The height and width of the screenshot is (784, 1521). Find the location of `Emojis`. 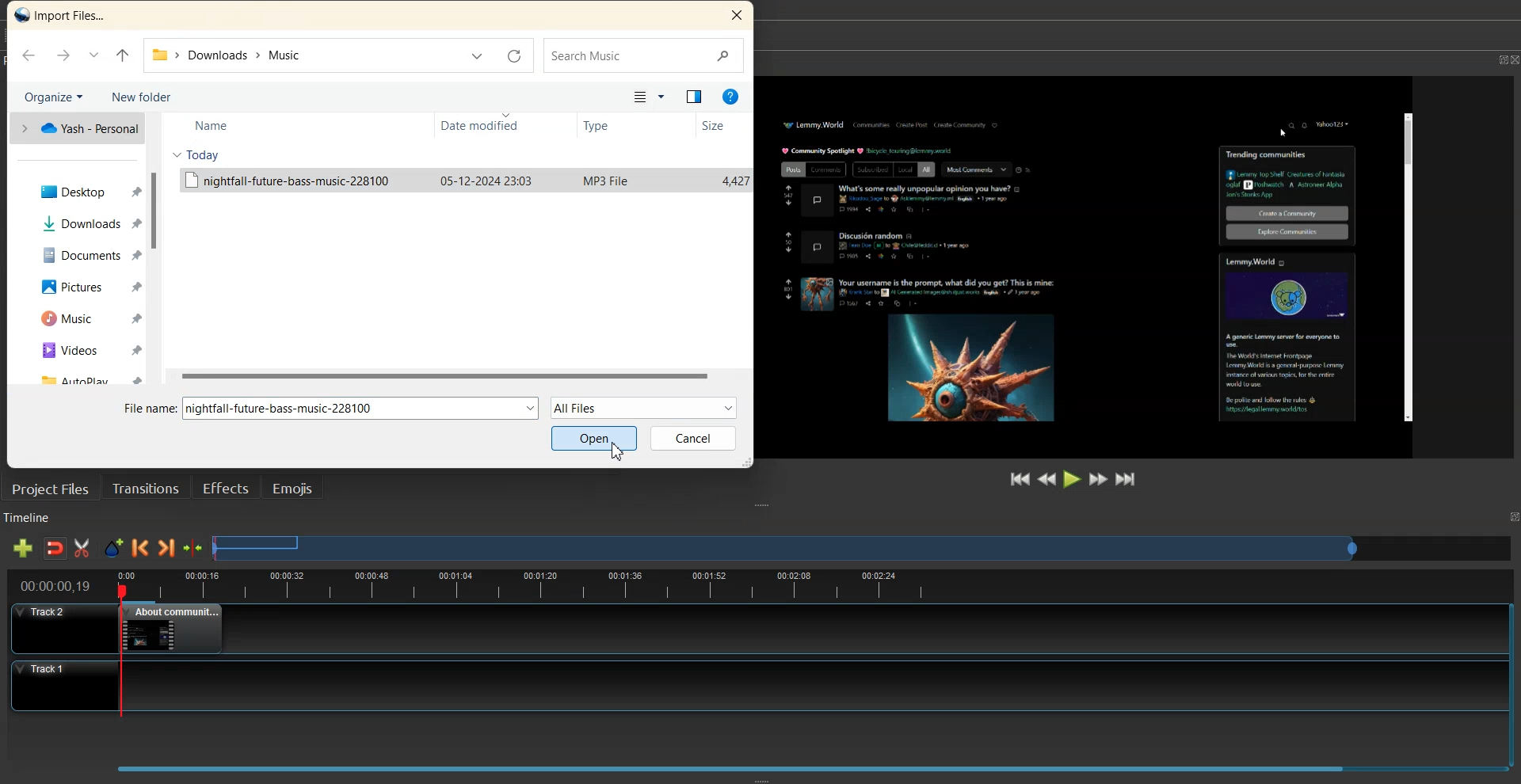

Emojis is located at coordinates (294, 487).